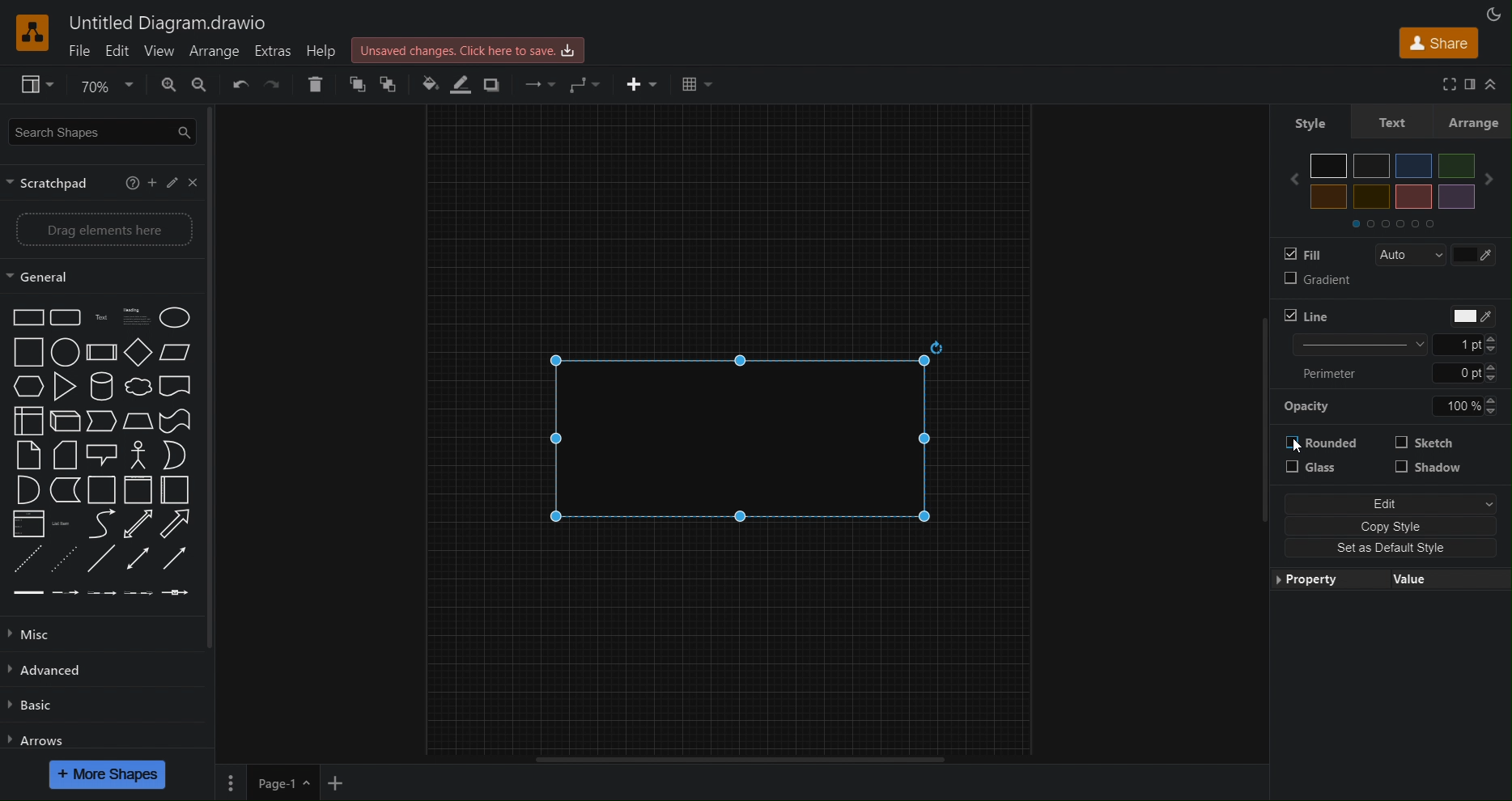 The image size is (1512, 801). Describe the element at coordinates (428, 84) in the screenshot. I see `Fill Color` at that location.